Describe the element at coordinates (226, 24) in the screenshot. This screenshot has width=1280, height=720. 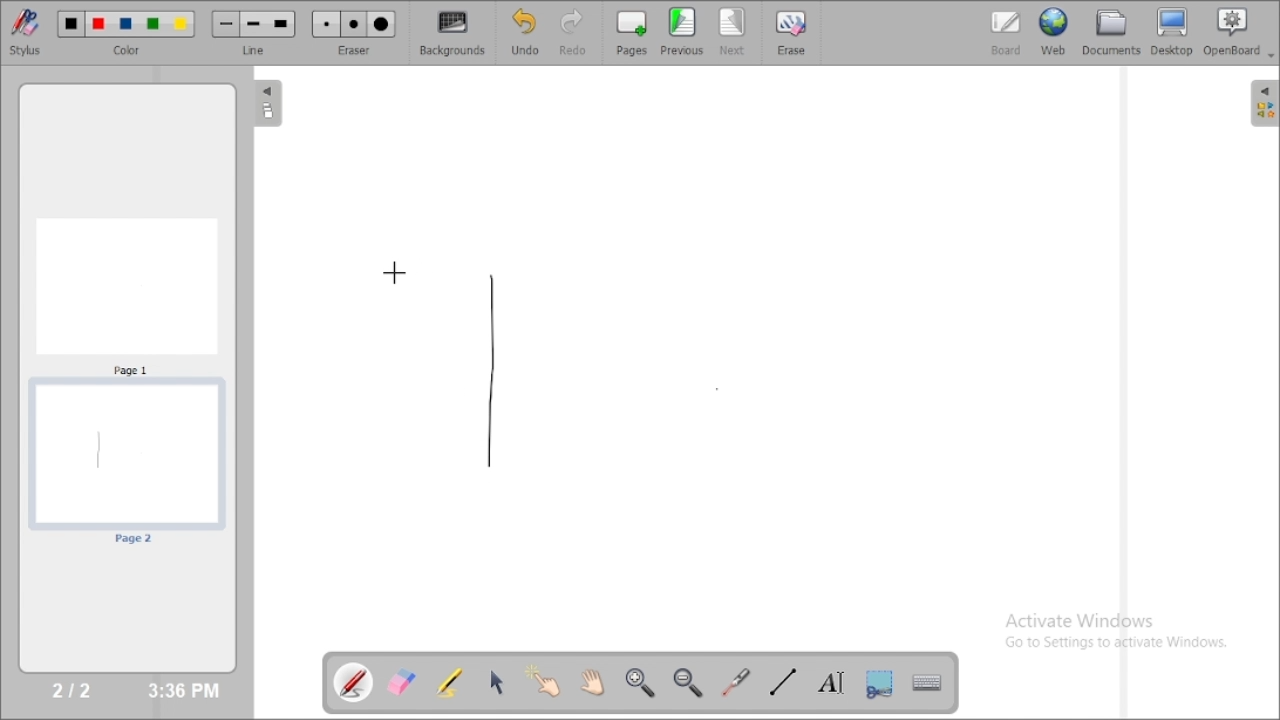
I see `Small line` at that location.